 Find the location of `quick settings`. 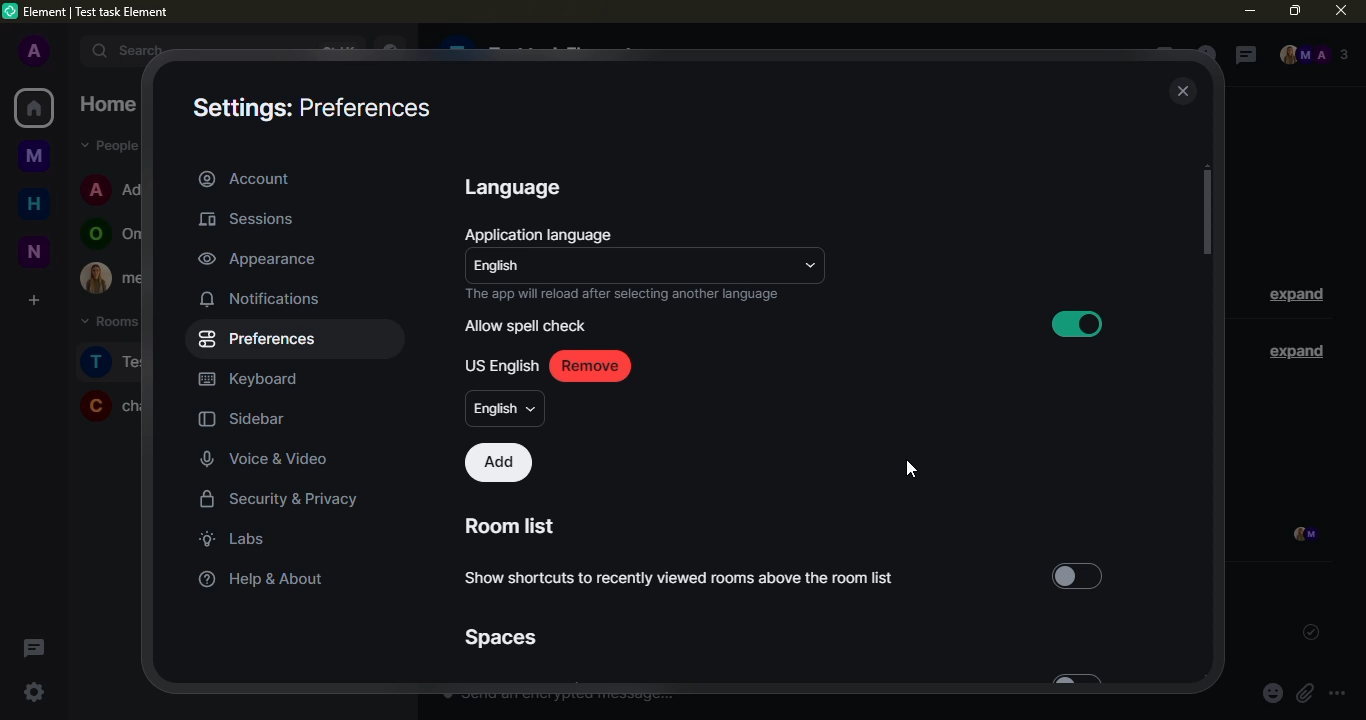

quick settings is located at coordinates (34, 692).